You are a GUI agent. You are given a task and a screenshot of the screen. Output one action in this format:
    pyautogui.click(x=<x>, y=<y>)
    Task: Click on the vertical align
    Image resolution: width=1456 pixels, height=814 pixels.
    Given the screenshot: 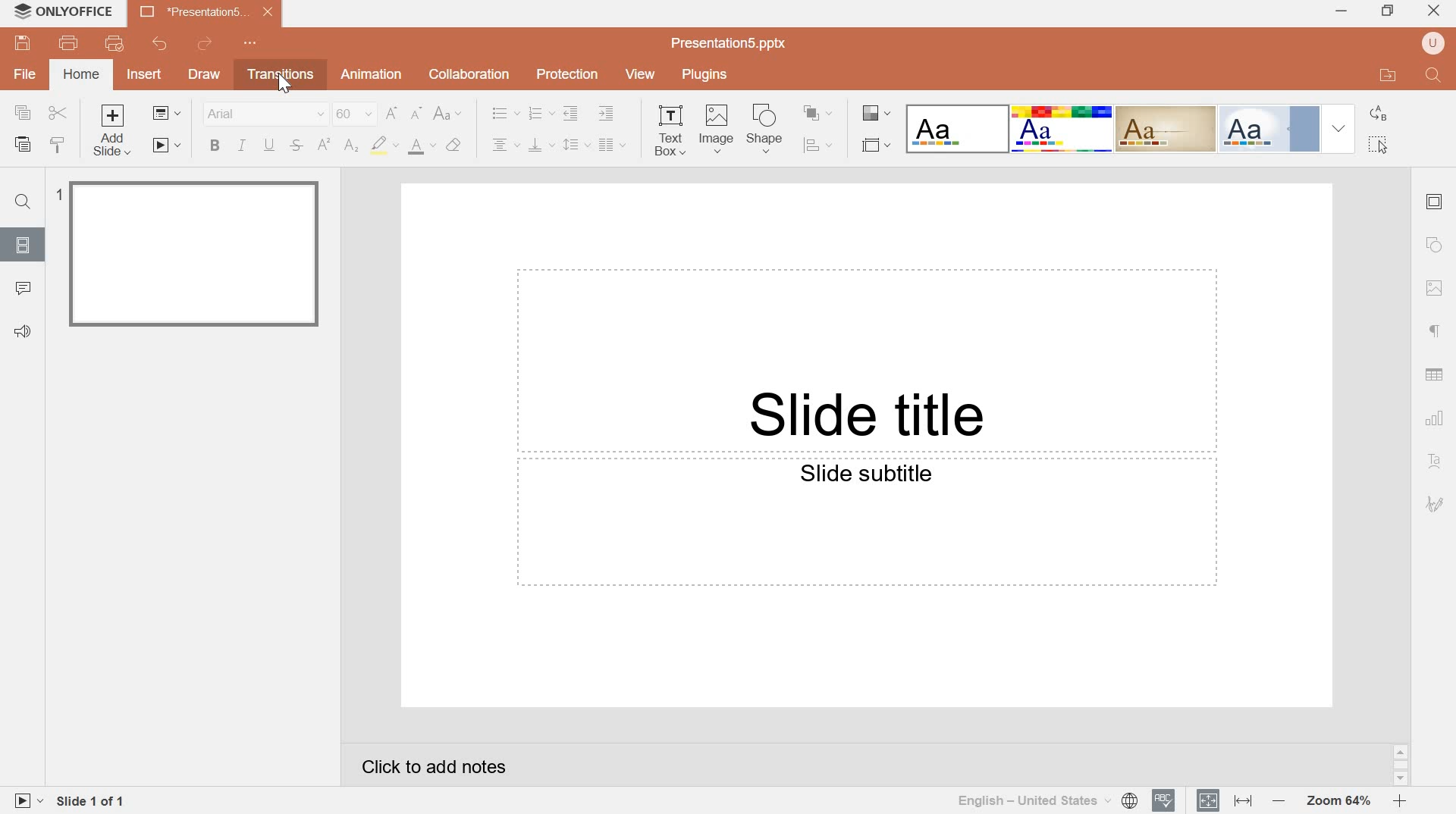 What is the action you would take?
    pyautogui.click(x=542, y=143)
    